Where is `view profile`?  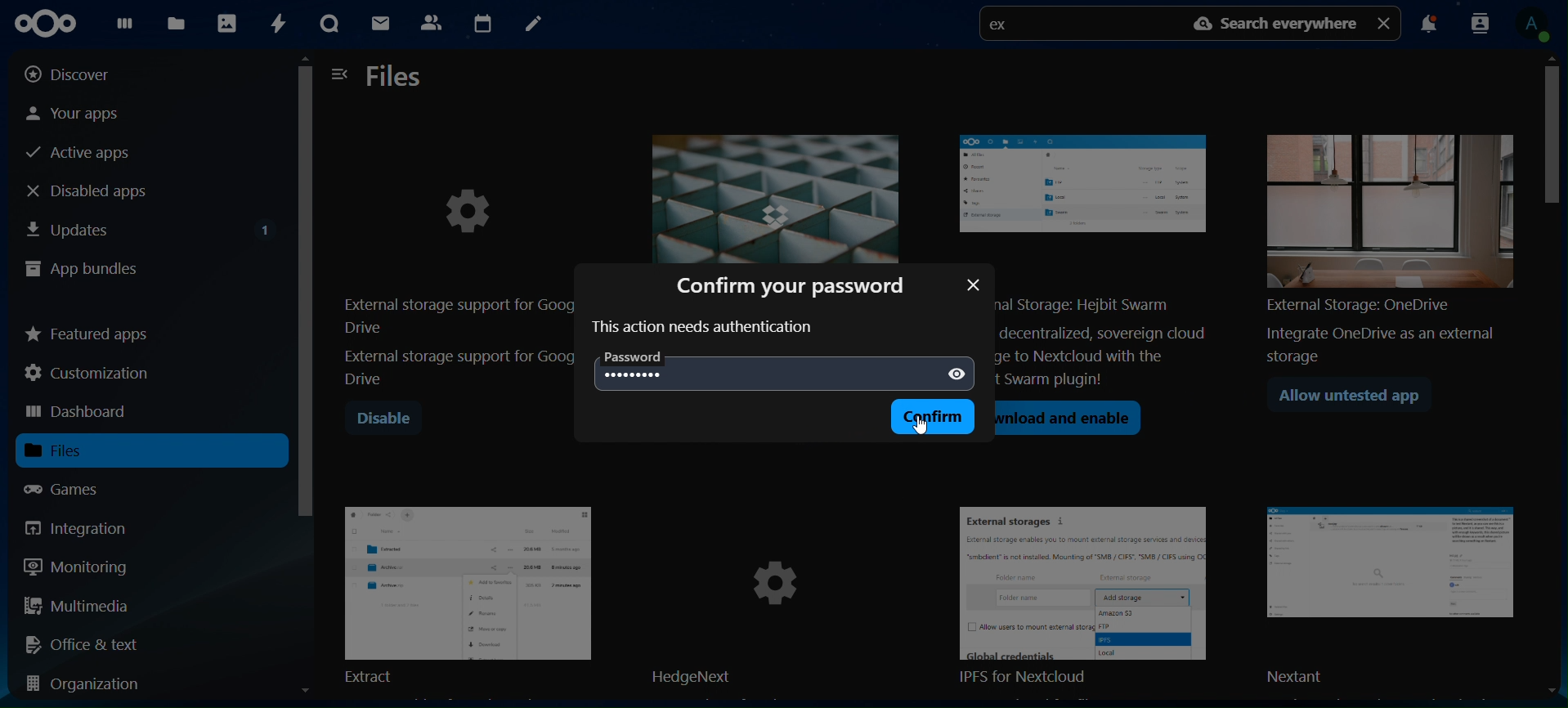 view profile is located at coordinates (1538, 25).